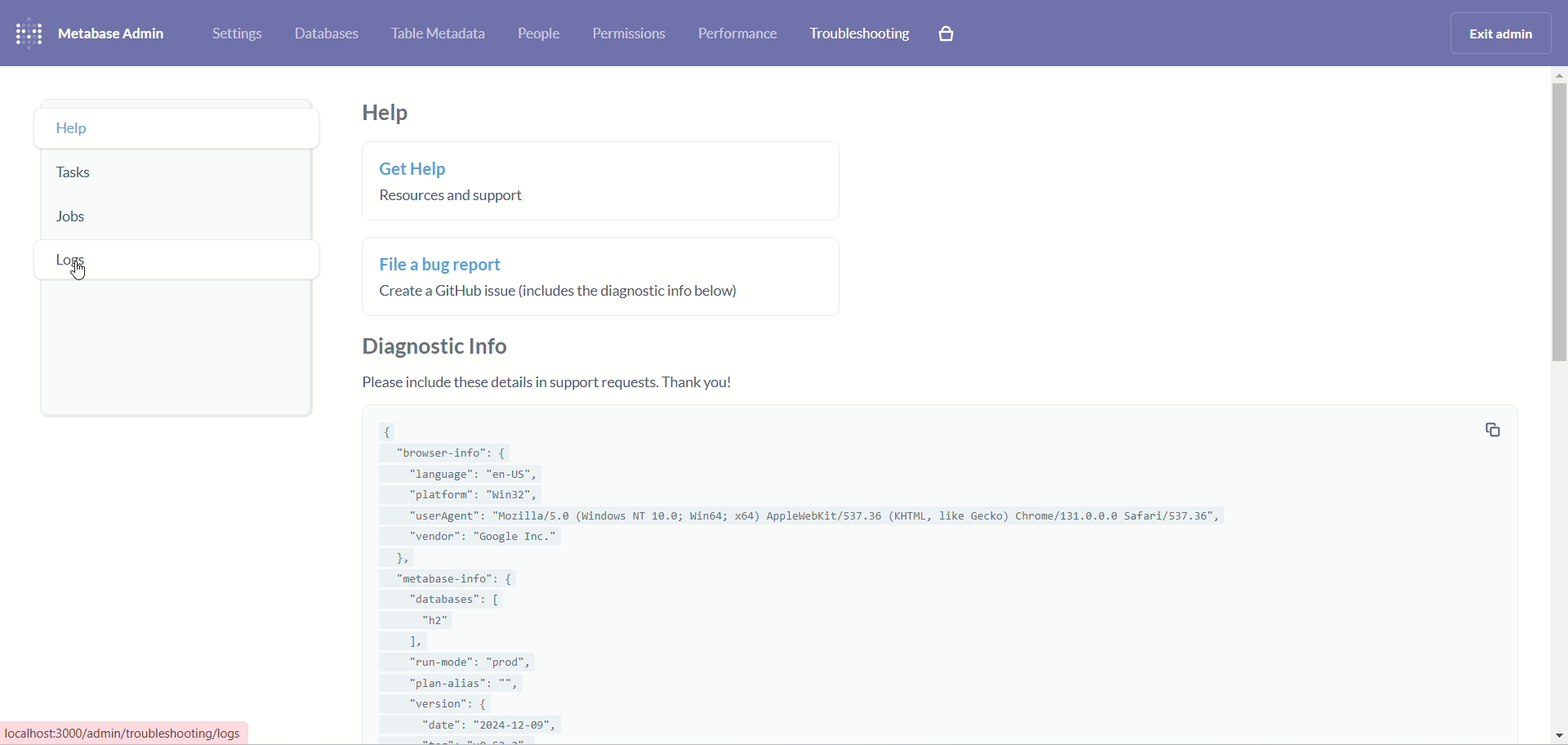 The width and height of the screenshot is (1568, 745). I want to click on file a bug report, so click(564, 273).